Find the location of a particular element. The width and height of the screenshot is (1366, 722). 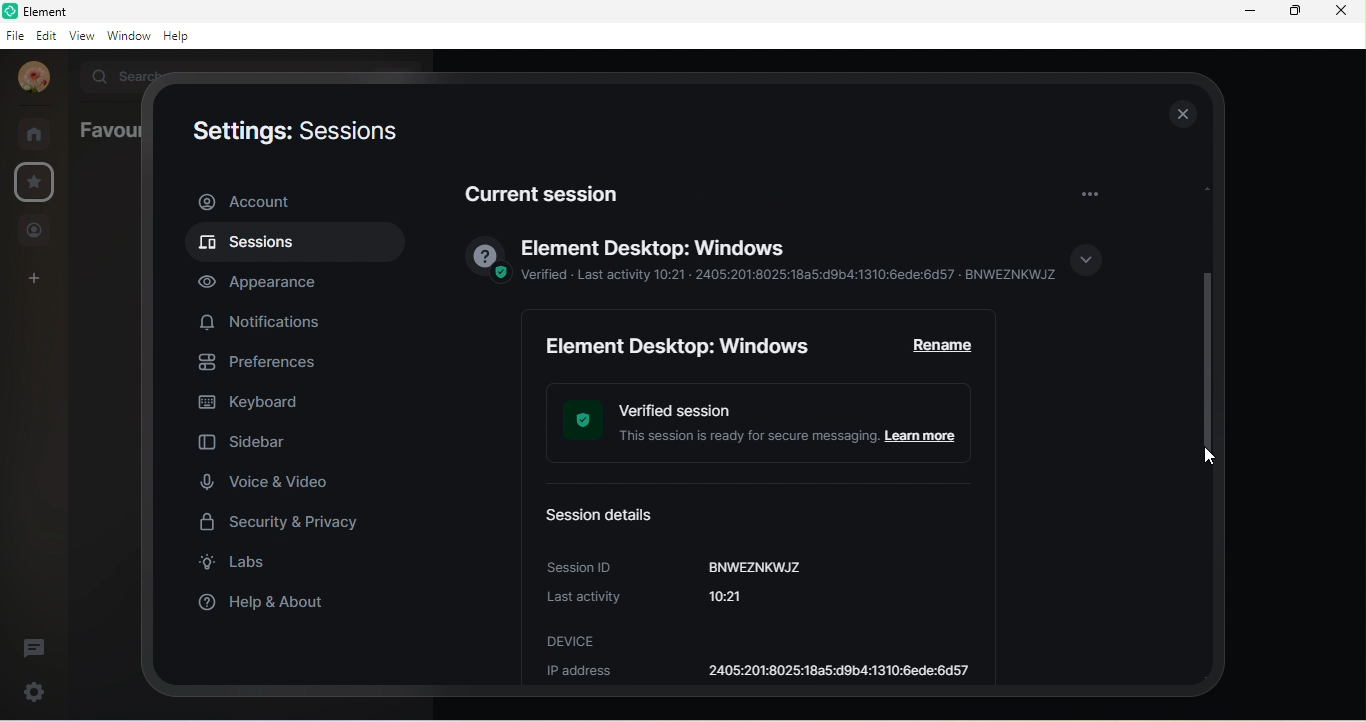

search is located at coordinates (119, 74).